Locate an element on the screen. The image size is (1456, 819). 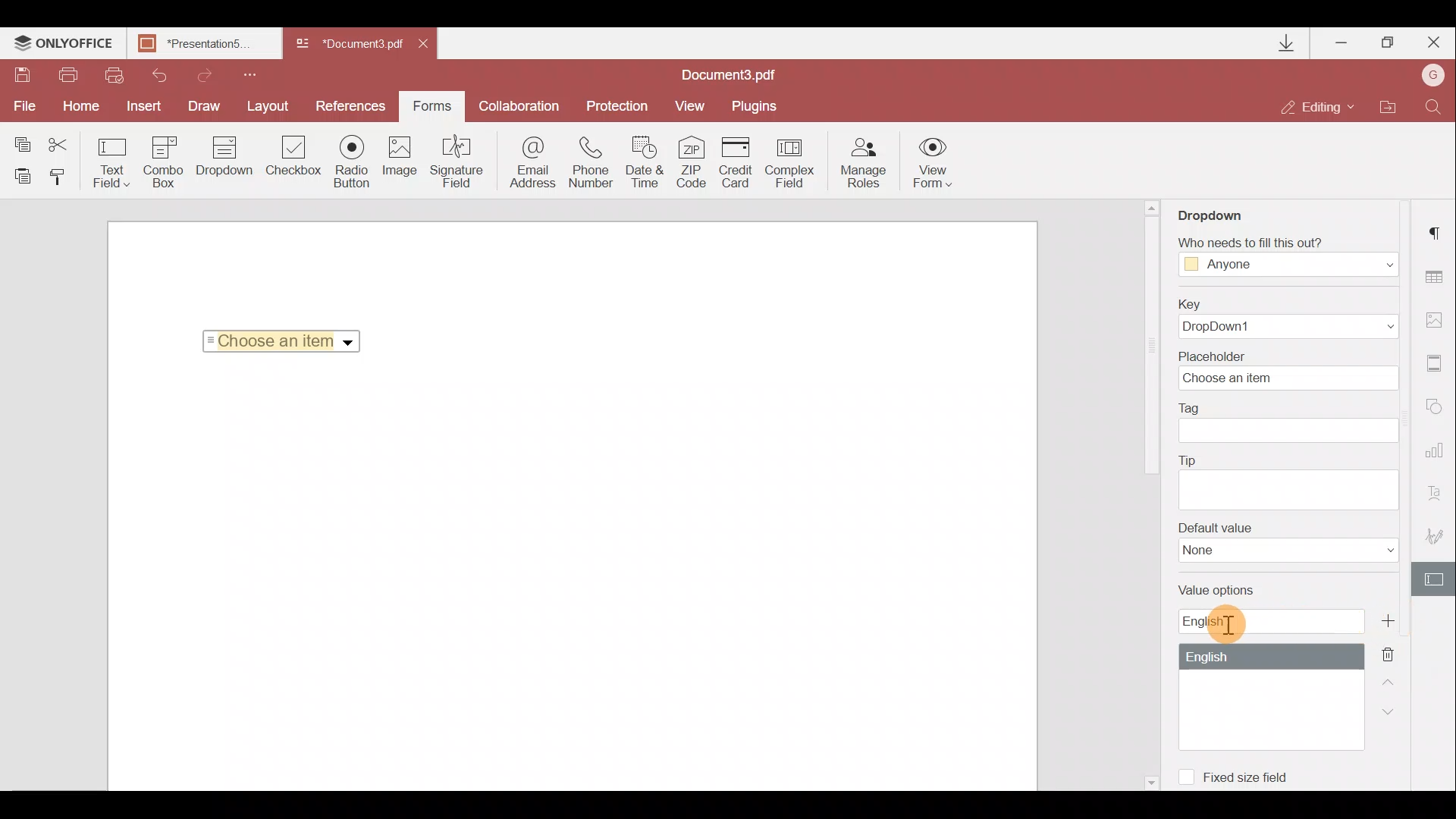
Save is located at coordinates (21, 77).